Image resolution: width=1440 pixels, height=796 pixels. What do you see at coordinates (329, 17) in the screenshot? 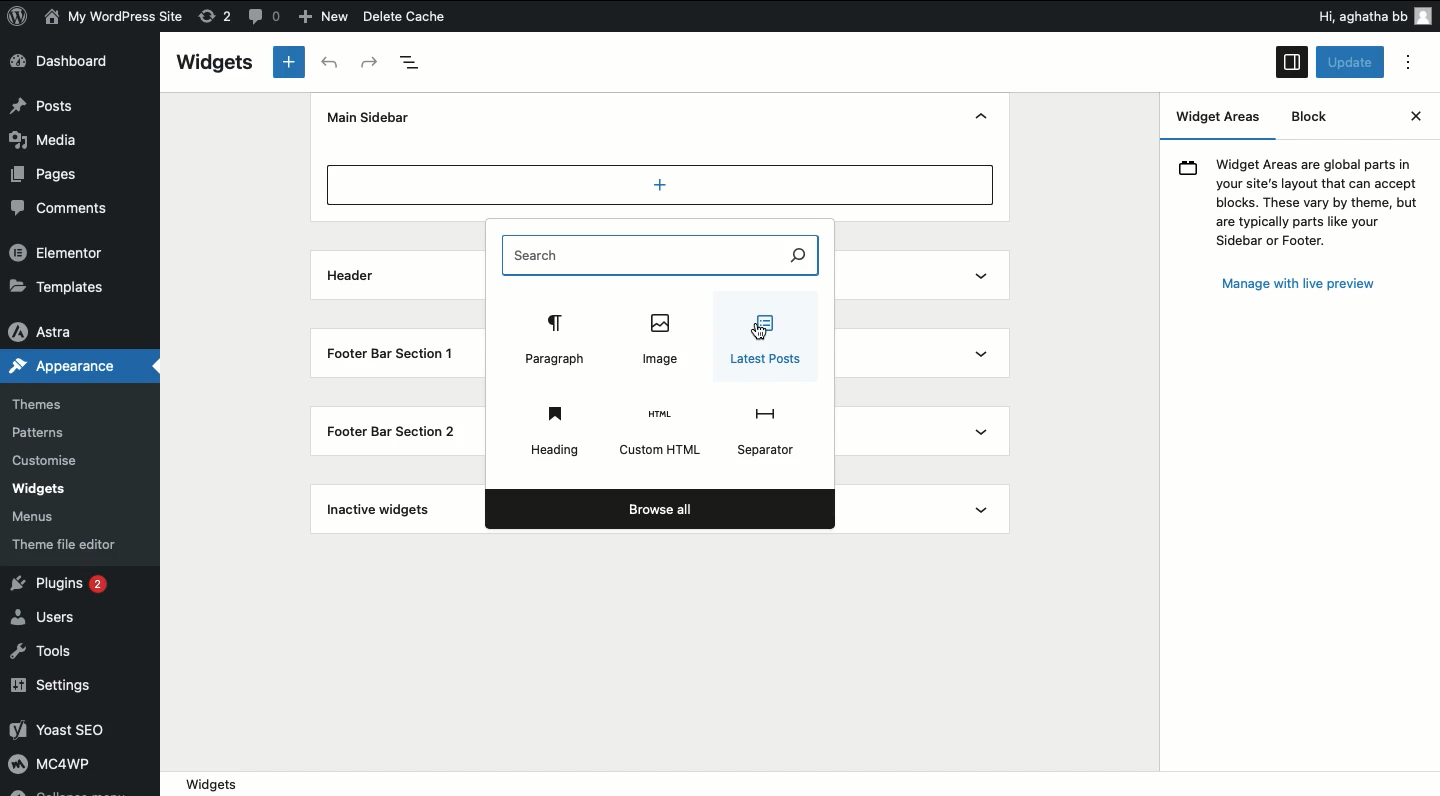
I see `New` at bounding box center [329, 17].